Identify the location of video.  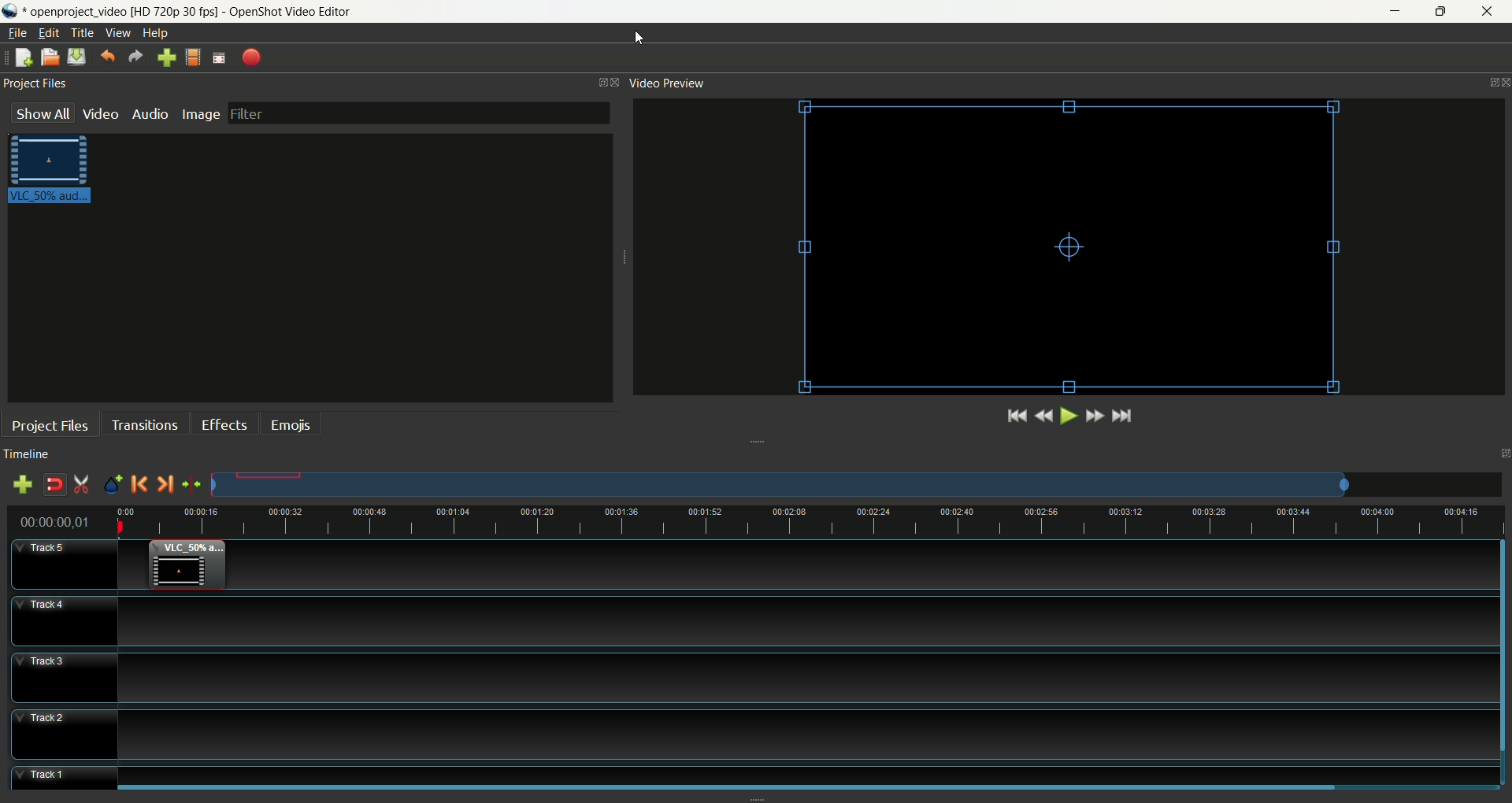
(100, 117).